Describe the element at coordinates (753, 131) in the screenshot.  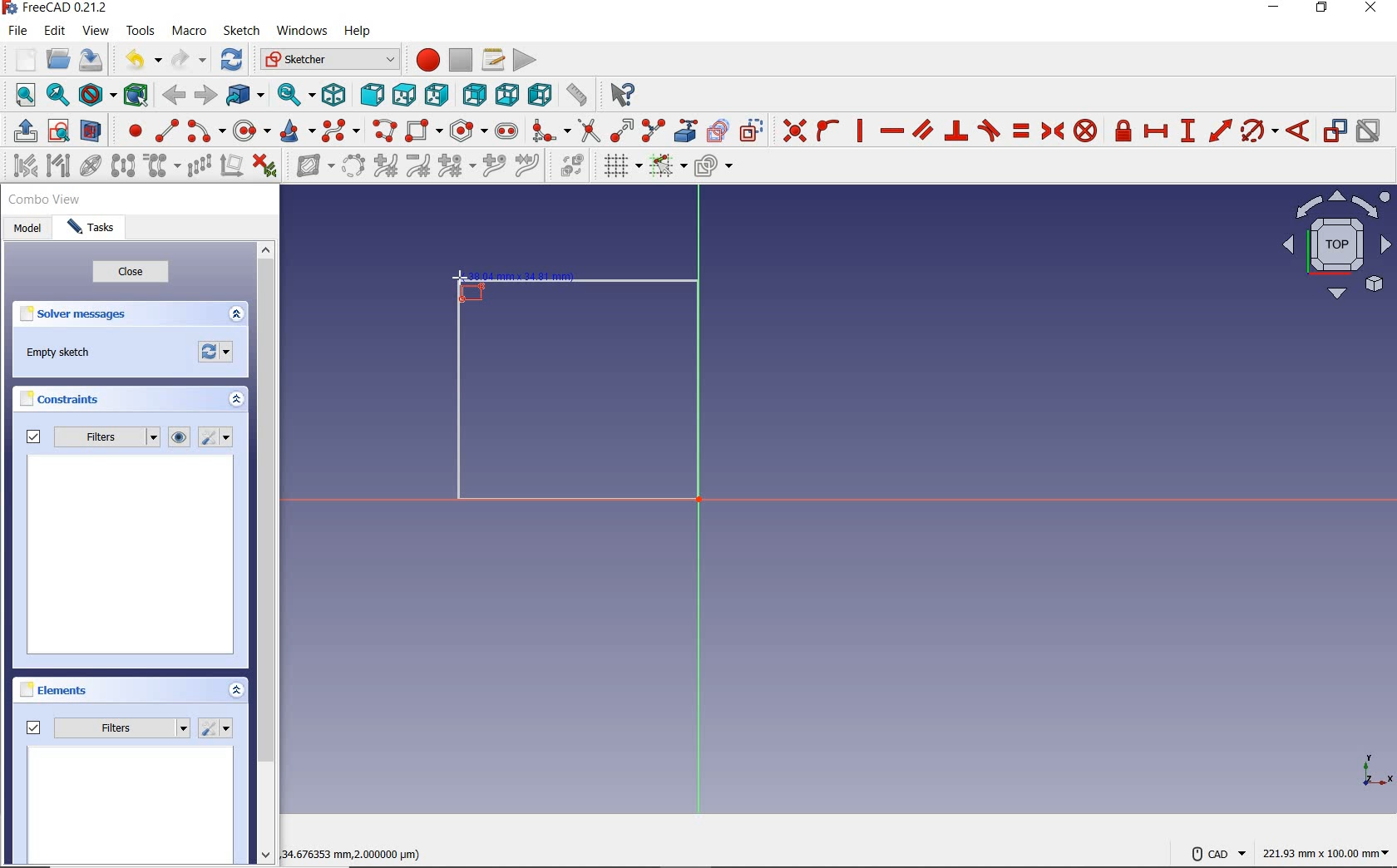
I see `toggle construction geometry` at that location.